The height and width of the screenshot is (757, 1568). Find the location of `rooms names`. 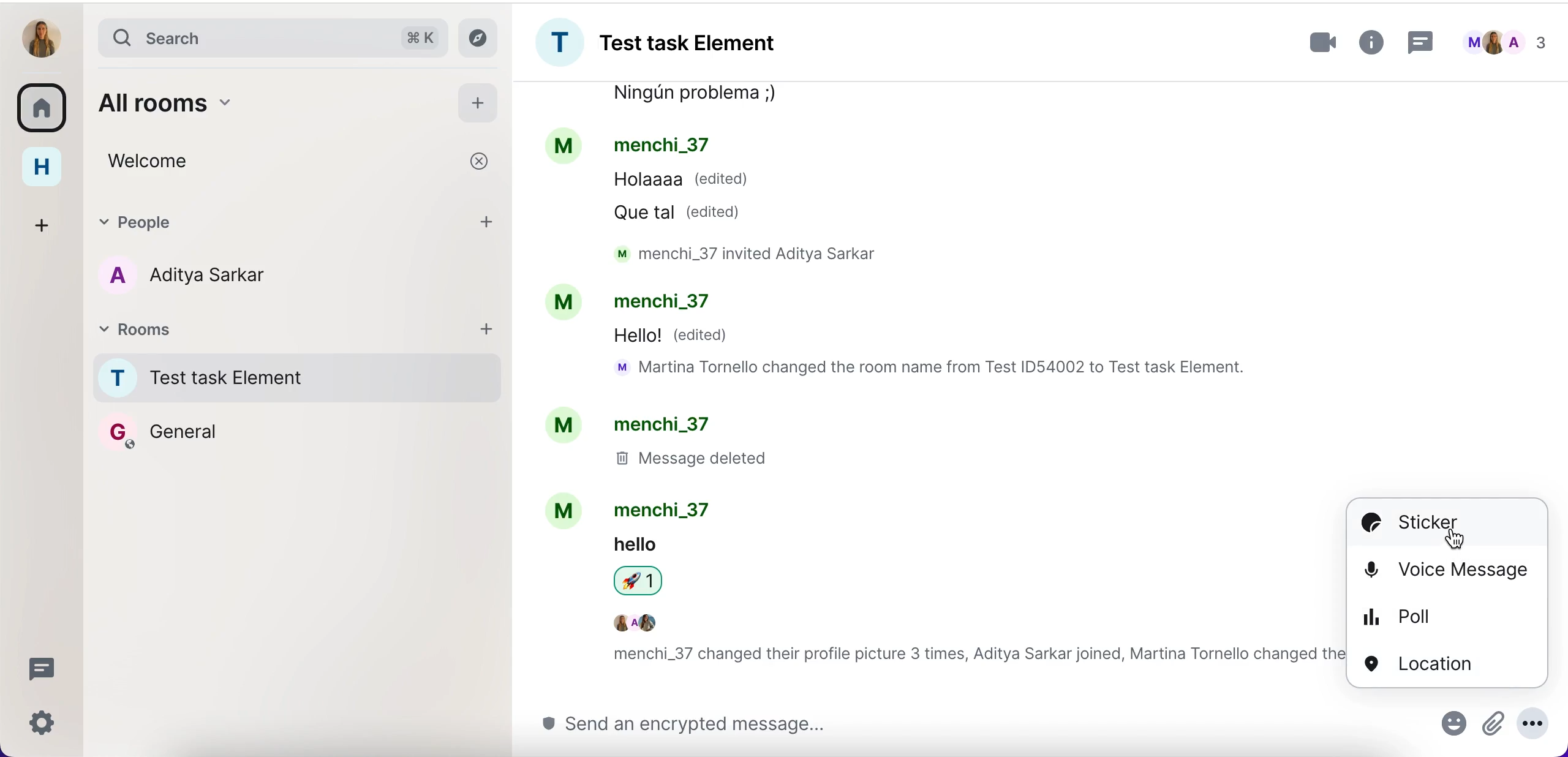

rooms names is located at coordinates (289, 409).